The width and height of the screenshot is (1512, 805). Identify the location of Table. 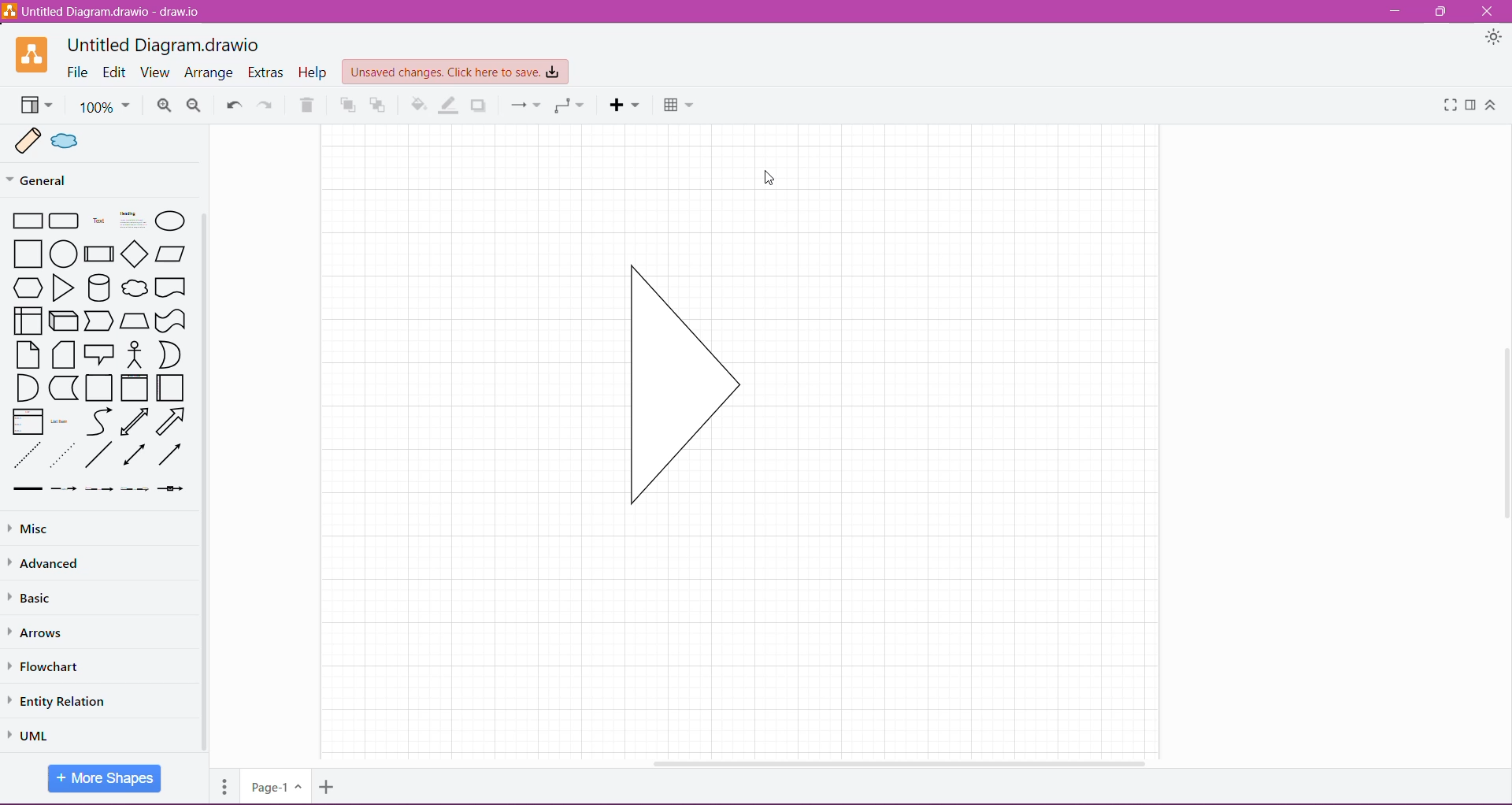
(679, 106).